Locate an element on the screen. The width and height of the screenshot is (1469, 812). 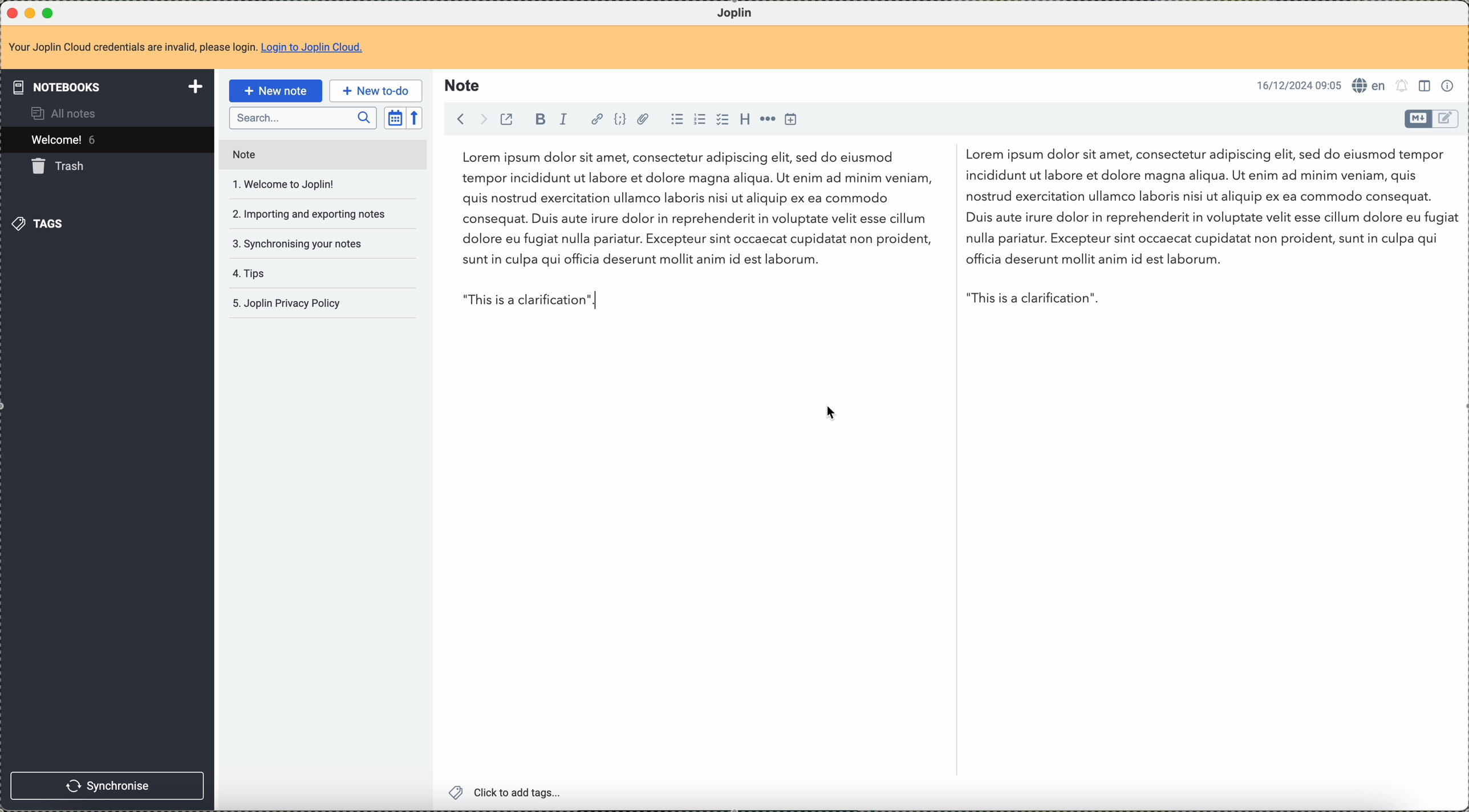
reverse sort order is located at coordinates (415, 117).